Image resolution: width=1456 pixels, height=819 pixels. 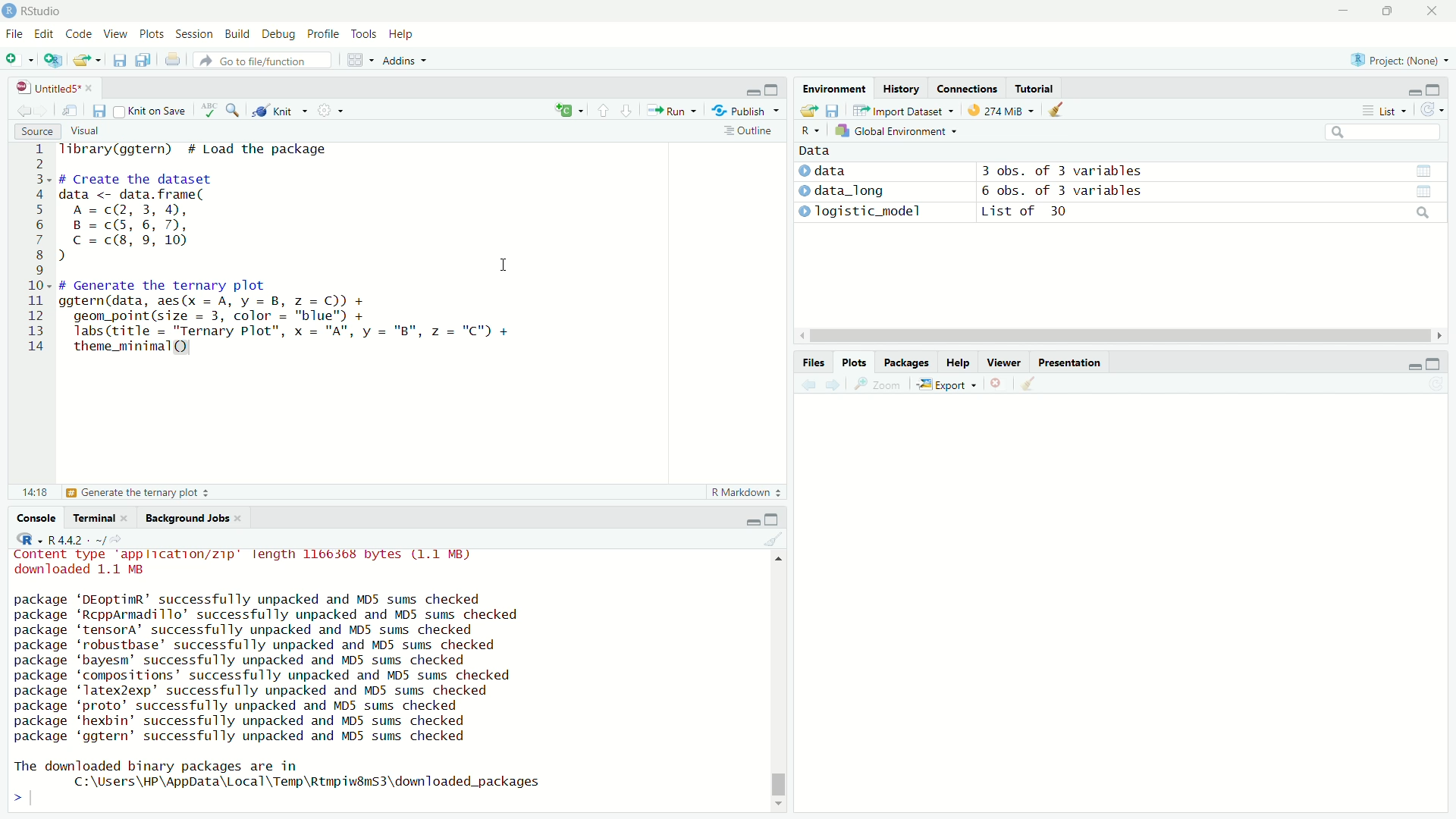 What do you see at coordinates (1435, 89) in the screenshot?
I see `maximise` at bounding box center [1435, 89].